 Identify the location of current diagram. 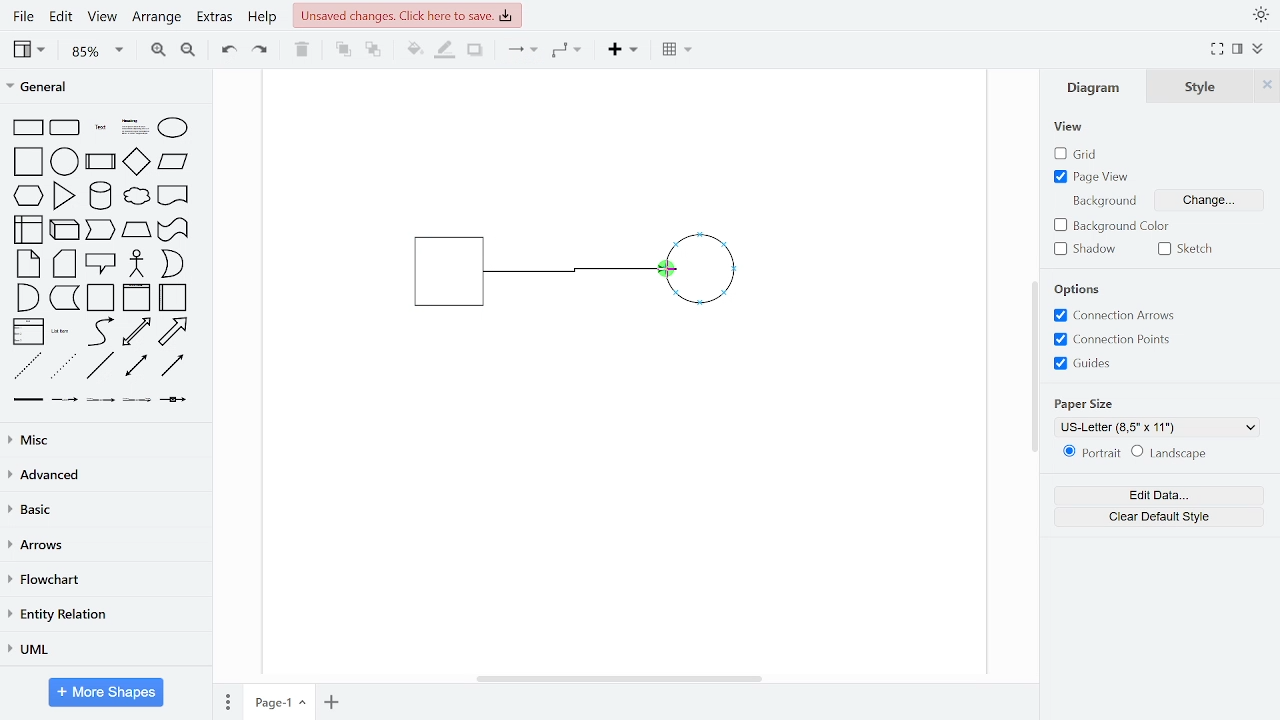
(594, 272).